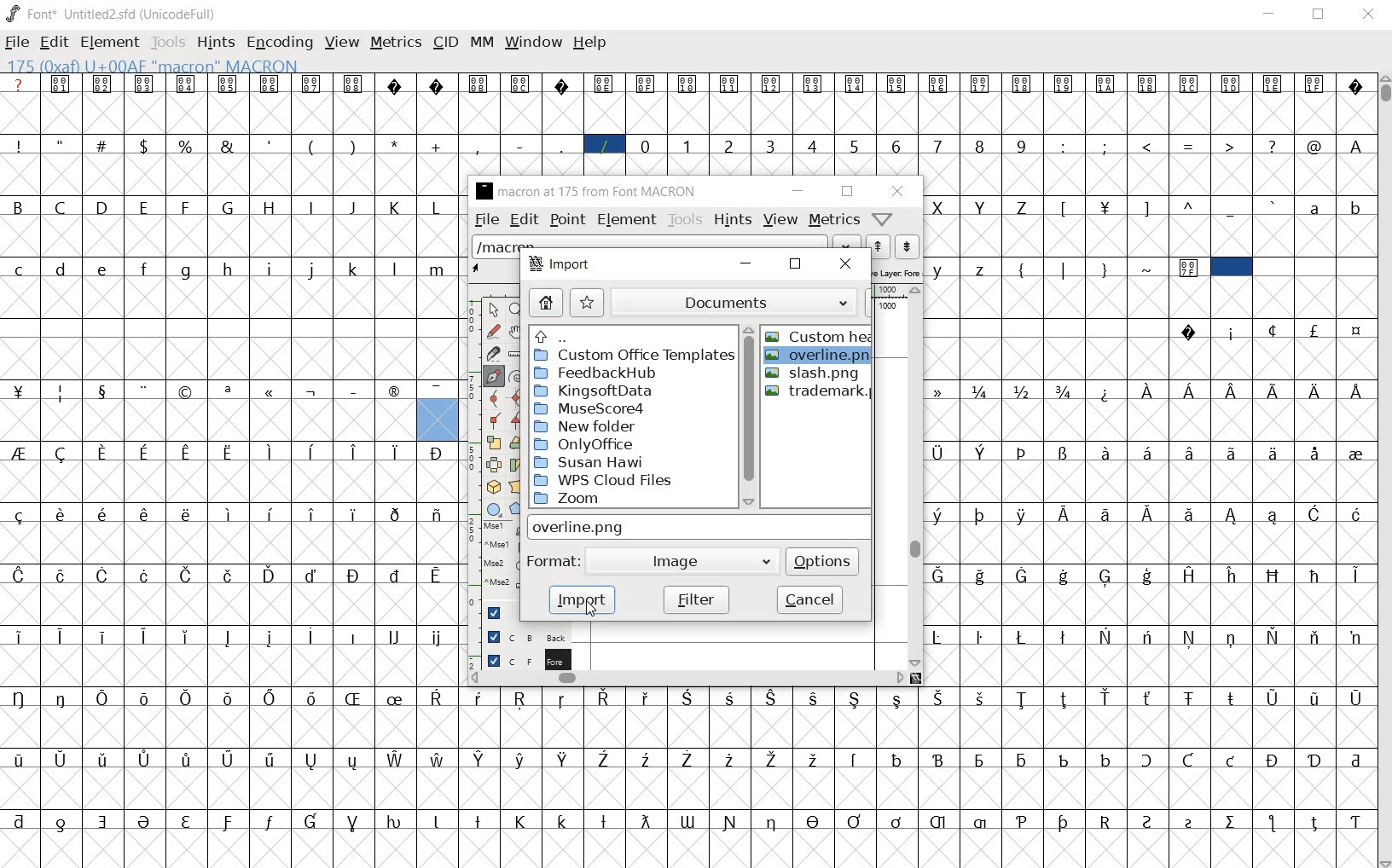  I want to click on Susan Haw, so click(629, 462).